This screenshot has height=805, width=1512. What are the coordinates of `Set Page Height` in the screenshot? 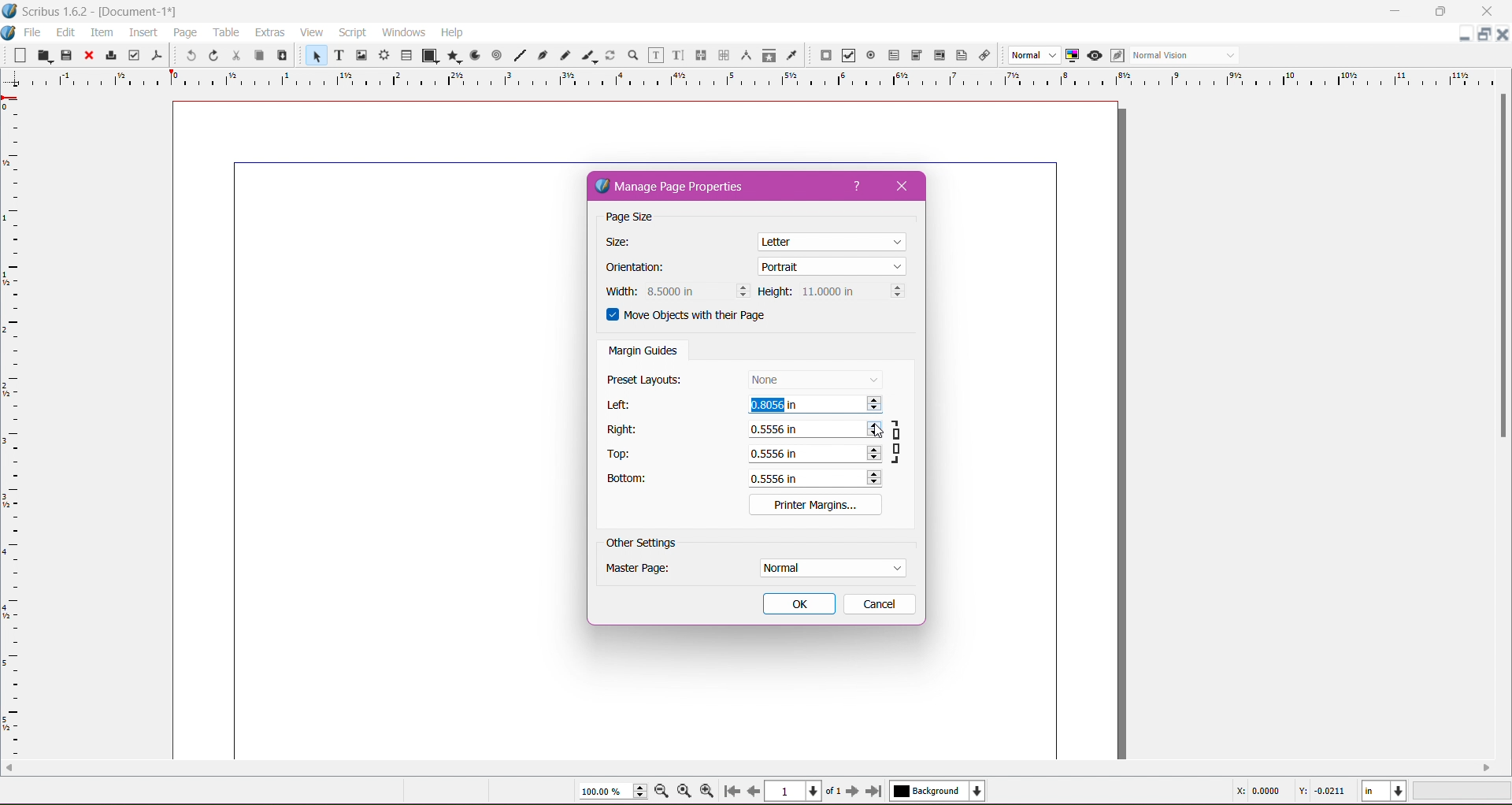 It's located at (851, 292).